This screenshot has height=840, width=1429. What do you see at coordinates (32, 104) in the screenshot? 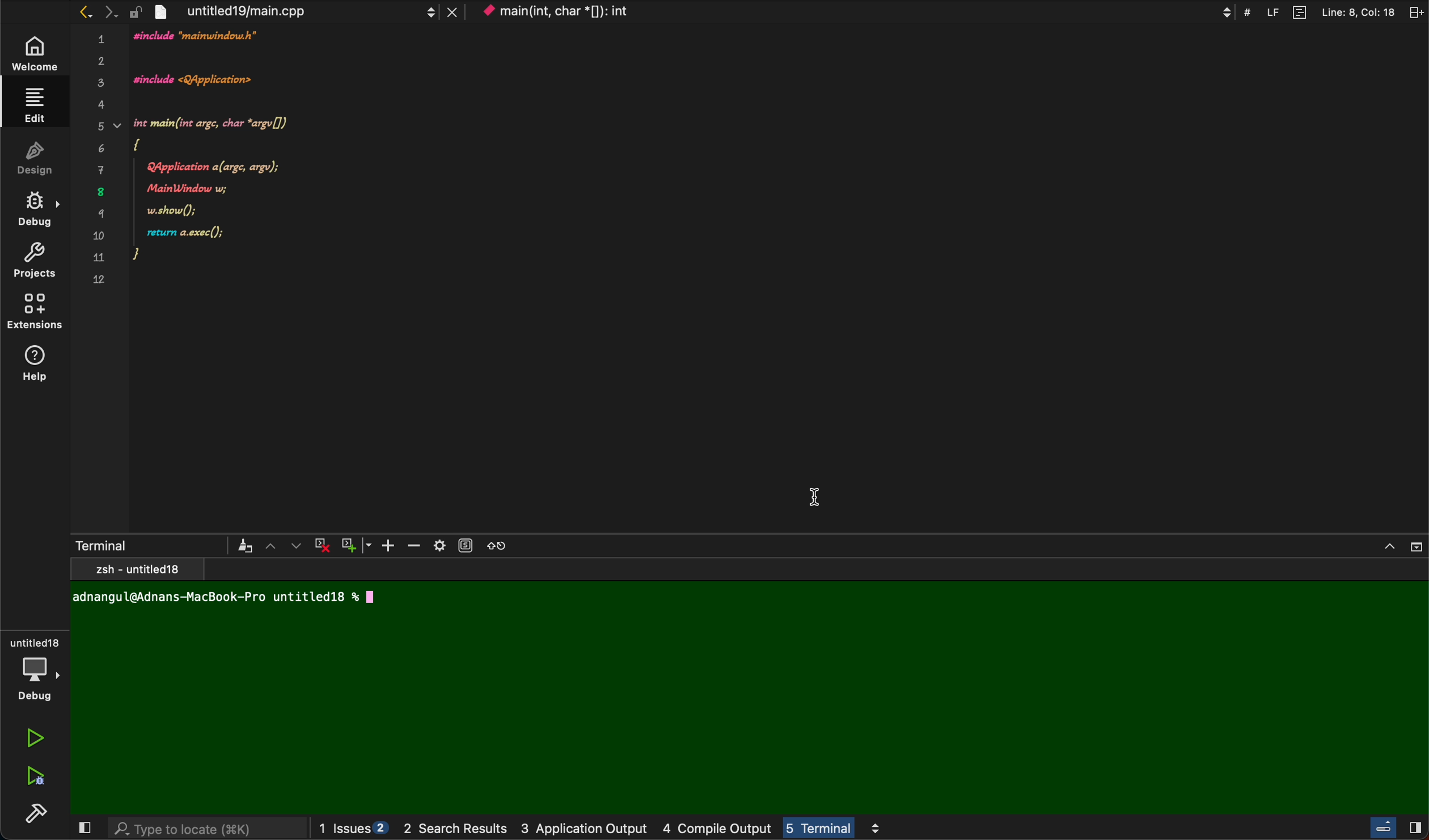
I see `edit` at bounding box center [32, 104].